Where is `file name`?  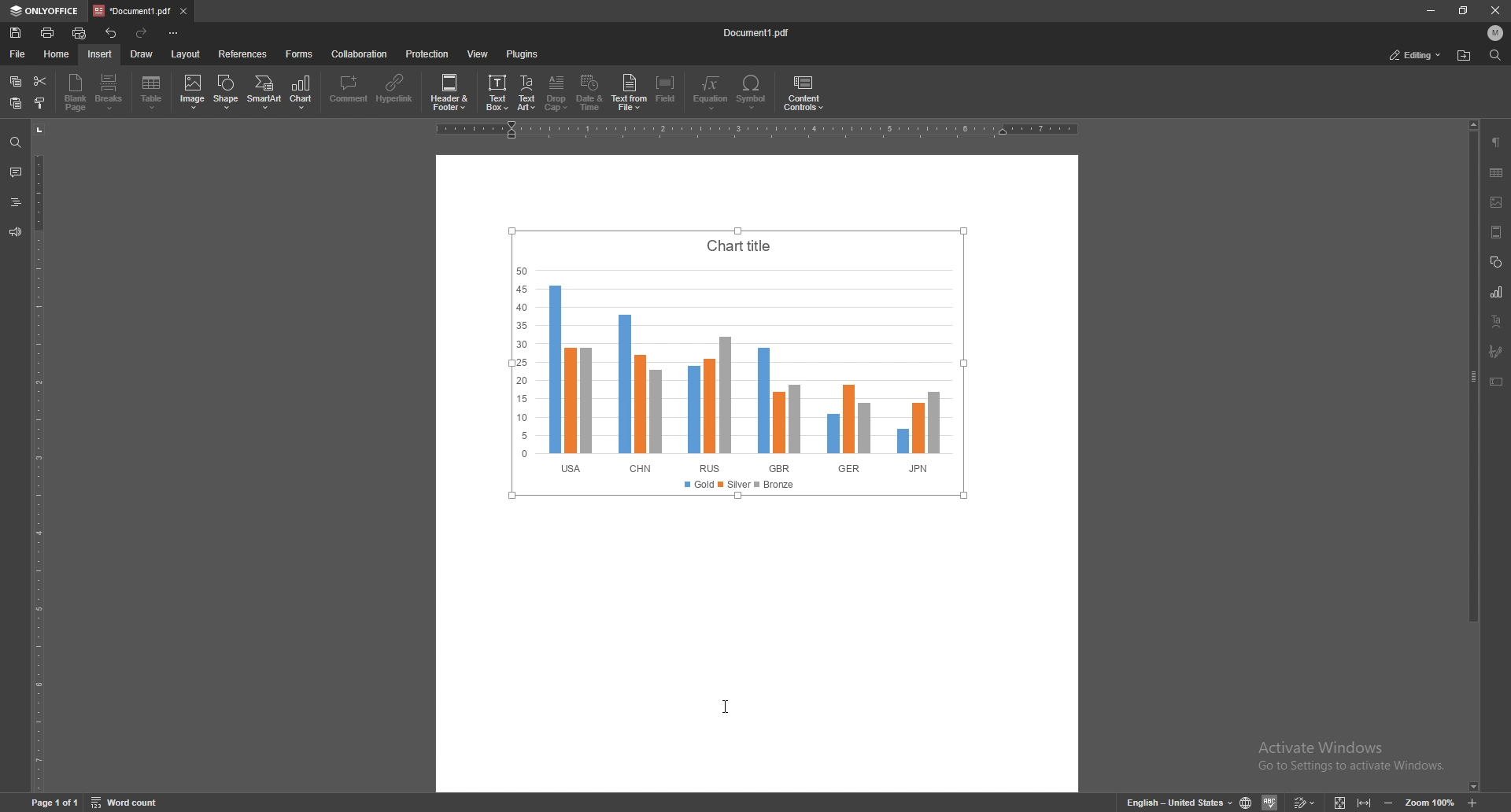
file name is located at coordinates (757, 32).